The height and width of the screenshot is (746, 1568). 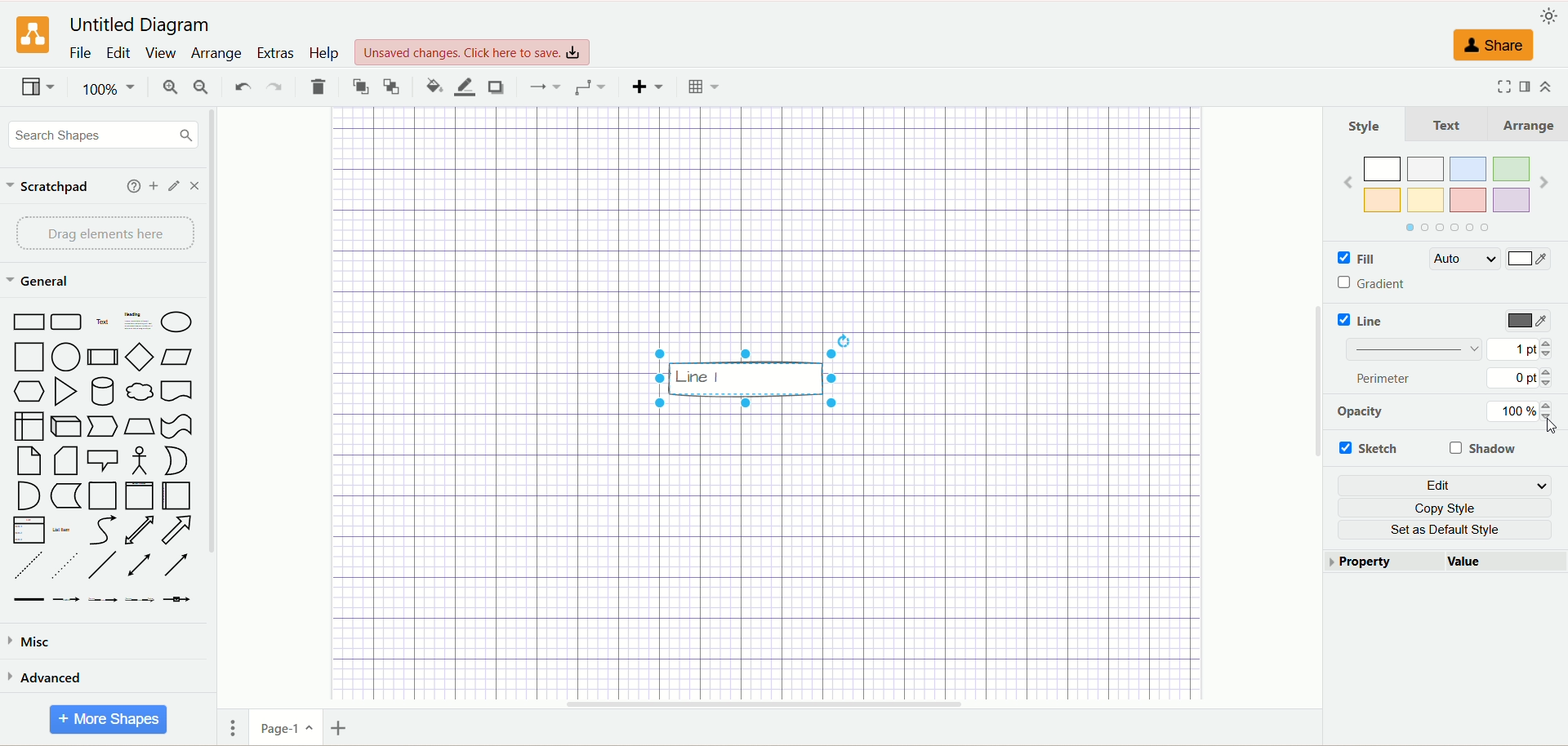 What do you see at coordinates (1378, 260) in the screenshot?
I see `Fille` at bounding box center [1378, 260].